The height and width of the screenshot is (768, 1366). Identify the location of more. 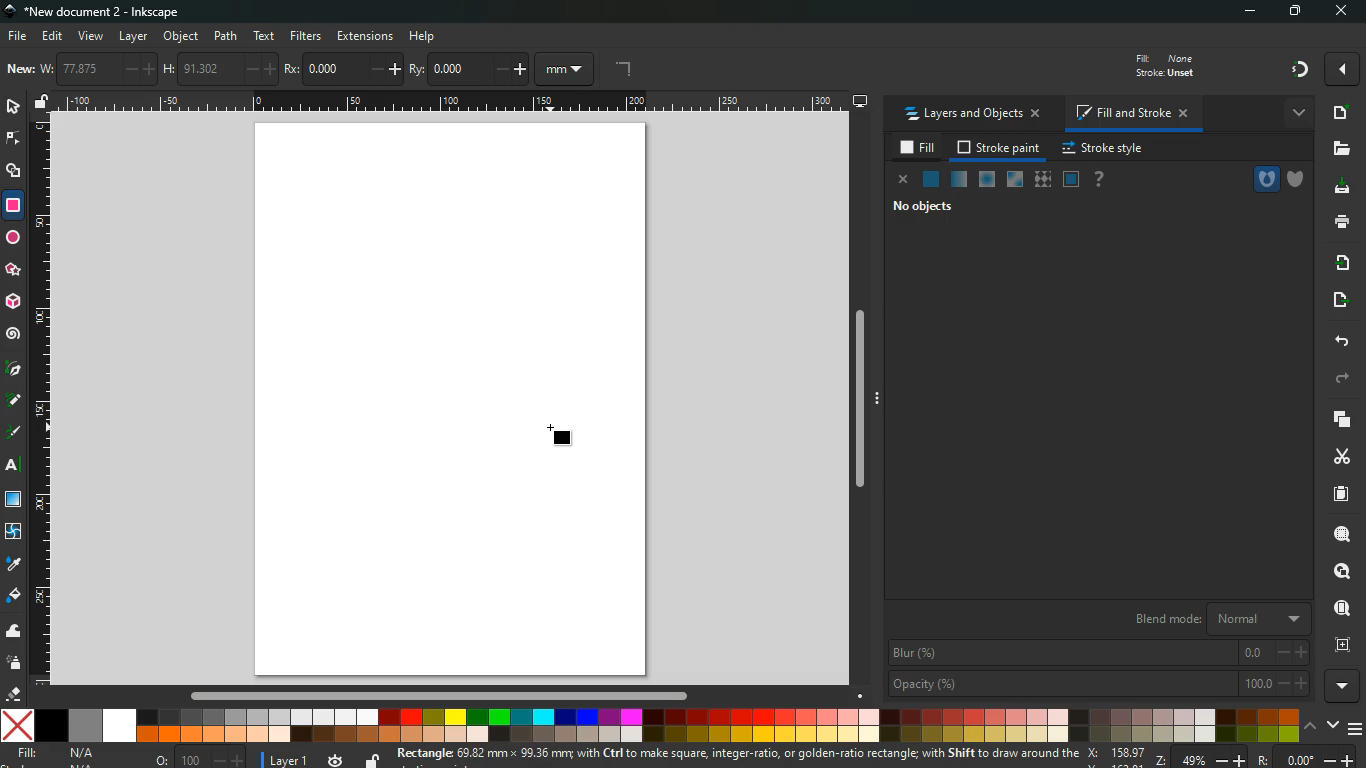
(1295, 114).